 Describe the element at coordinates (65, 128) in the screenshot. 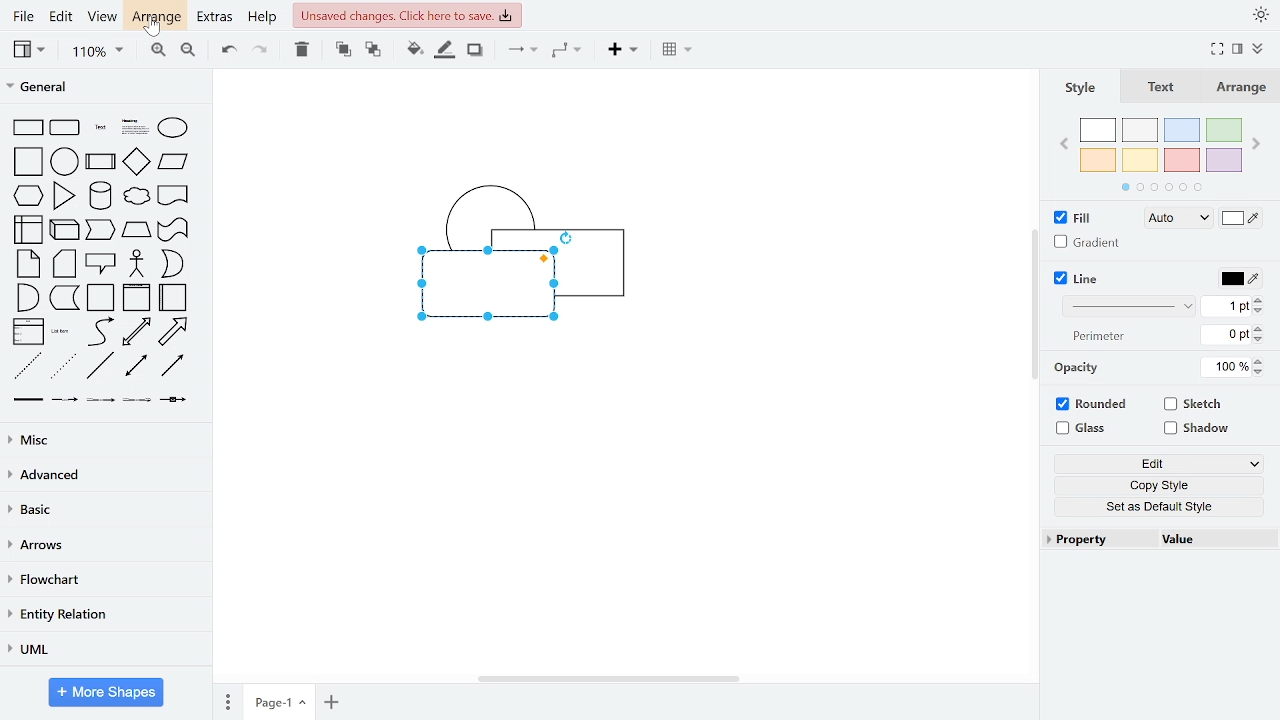

I see `rounded rectangle` at that location.